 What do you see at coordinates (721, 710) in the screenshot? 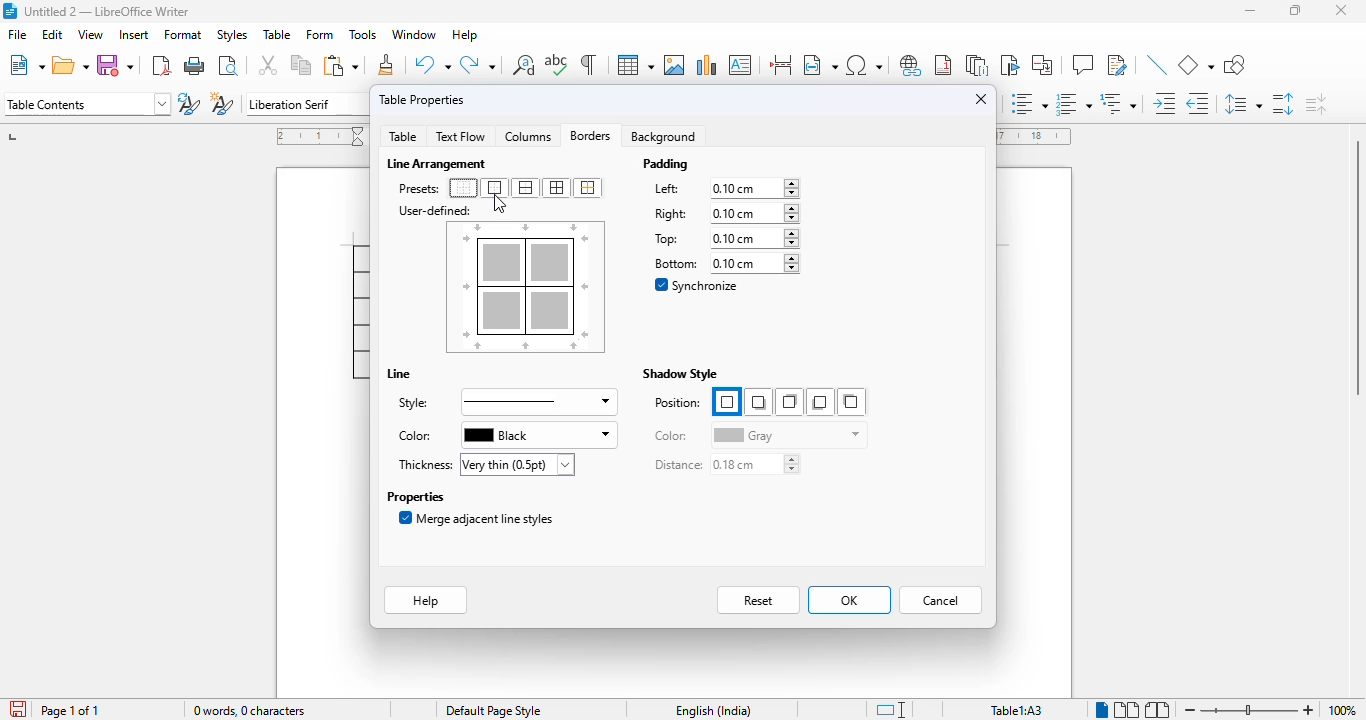
I see `English (India)` at bounding box center [721, 710].